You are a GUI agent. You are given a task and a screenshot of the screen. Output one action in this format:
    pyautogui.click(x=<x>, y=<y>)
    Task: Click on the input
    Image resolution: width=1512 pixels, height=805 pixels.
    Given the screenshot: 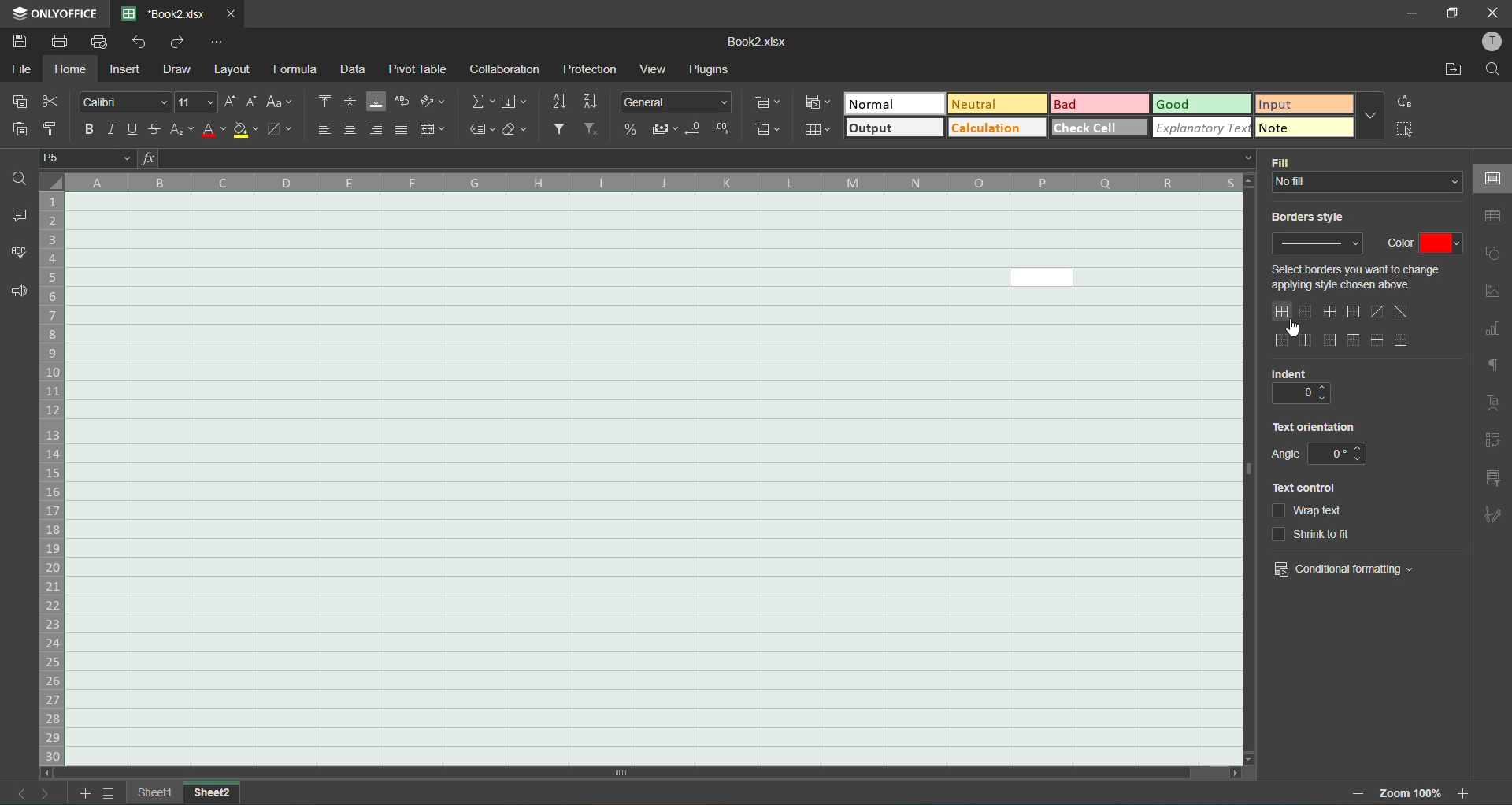 What is the action you would take?
    pyautogui.click(x=1303, y=104)
    